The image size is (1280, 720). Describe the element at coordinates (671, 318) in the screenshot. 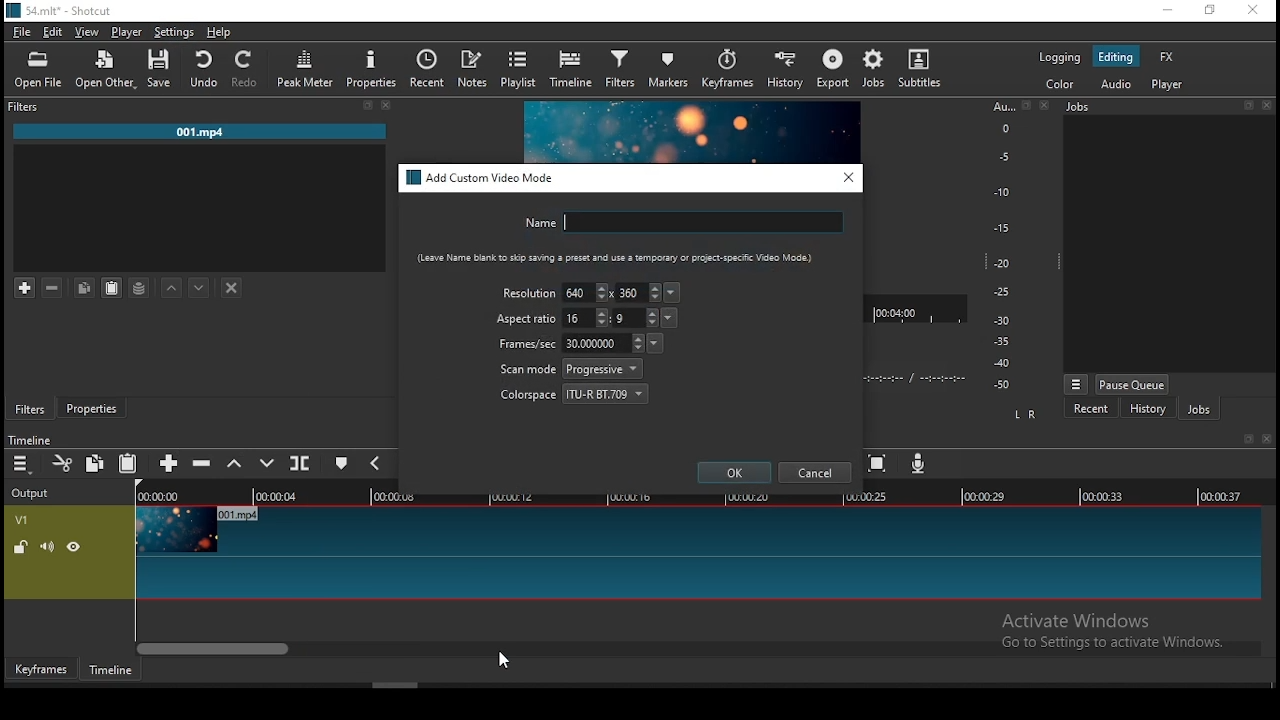

I see `aspect ration presets` at that location.